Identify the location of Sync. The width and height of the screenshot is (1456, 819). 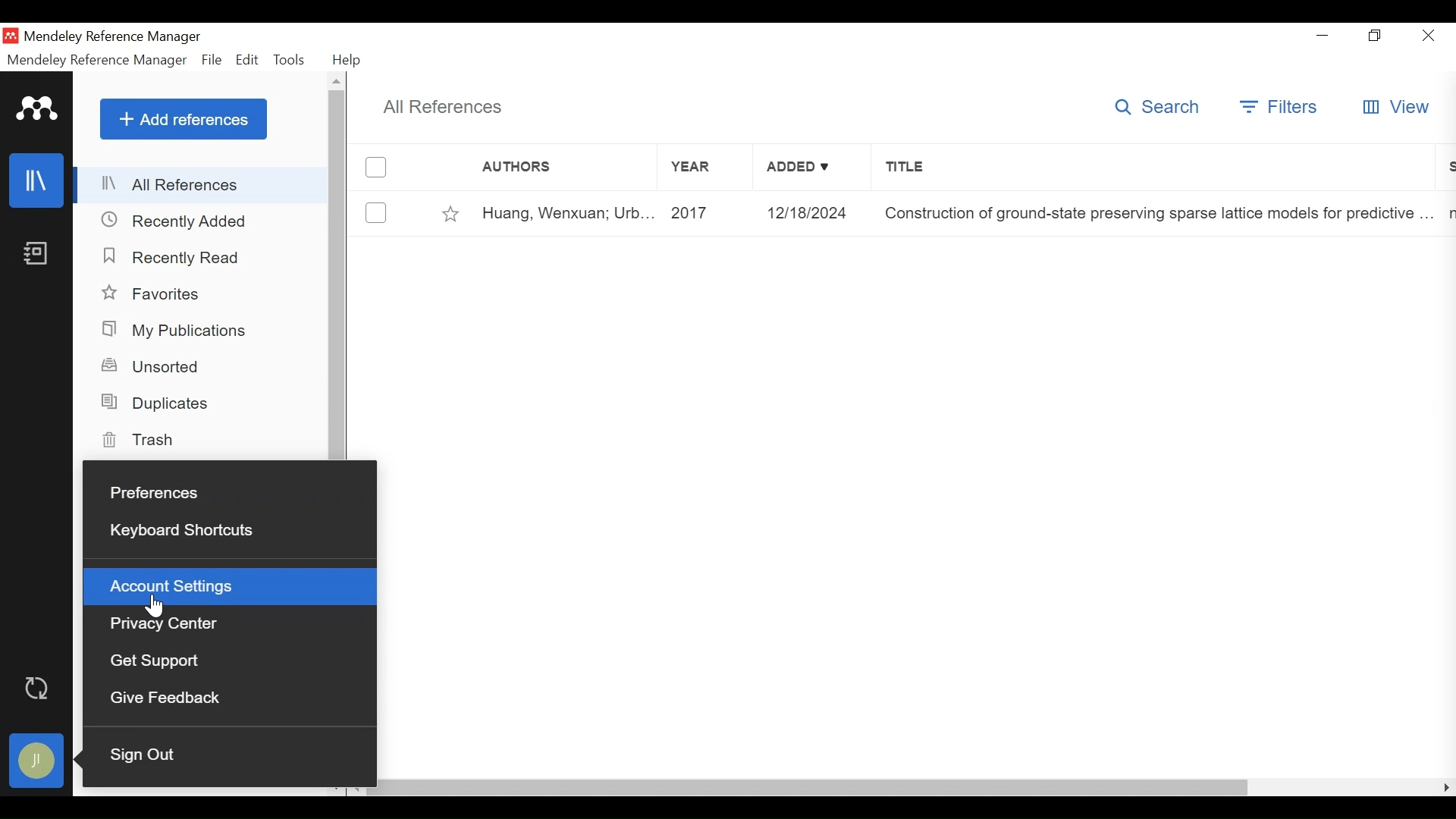
(38, 689).